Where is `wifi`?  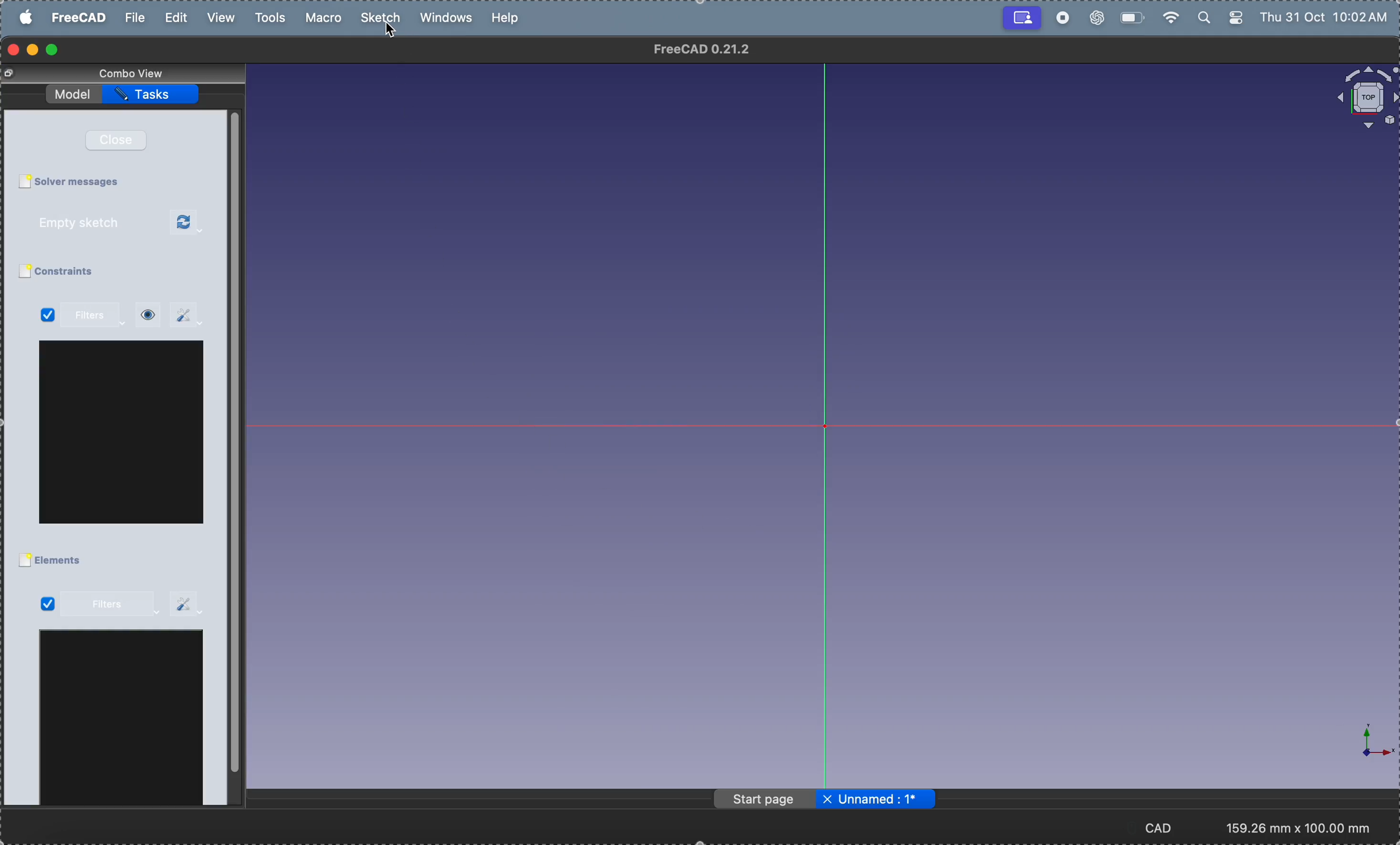
wifi is located at coordinates (1168, 18).